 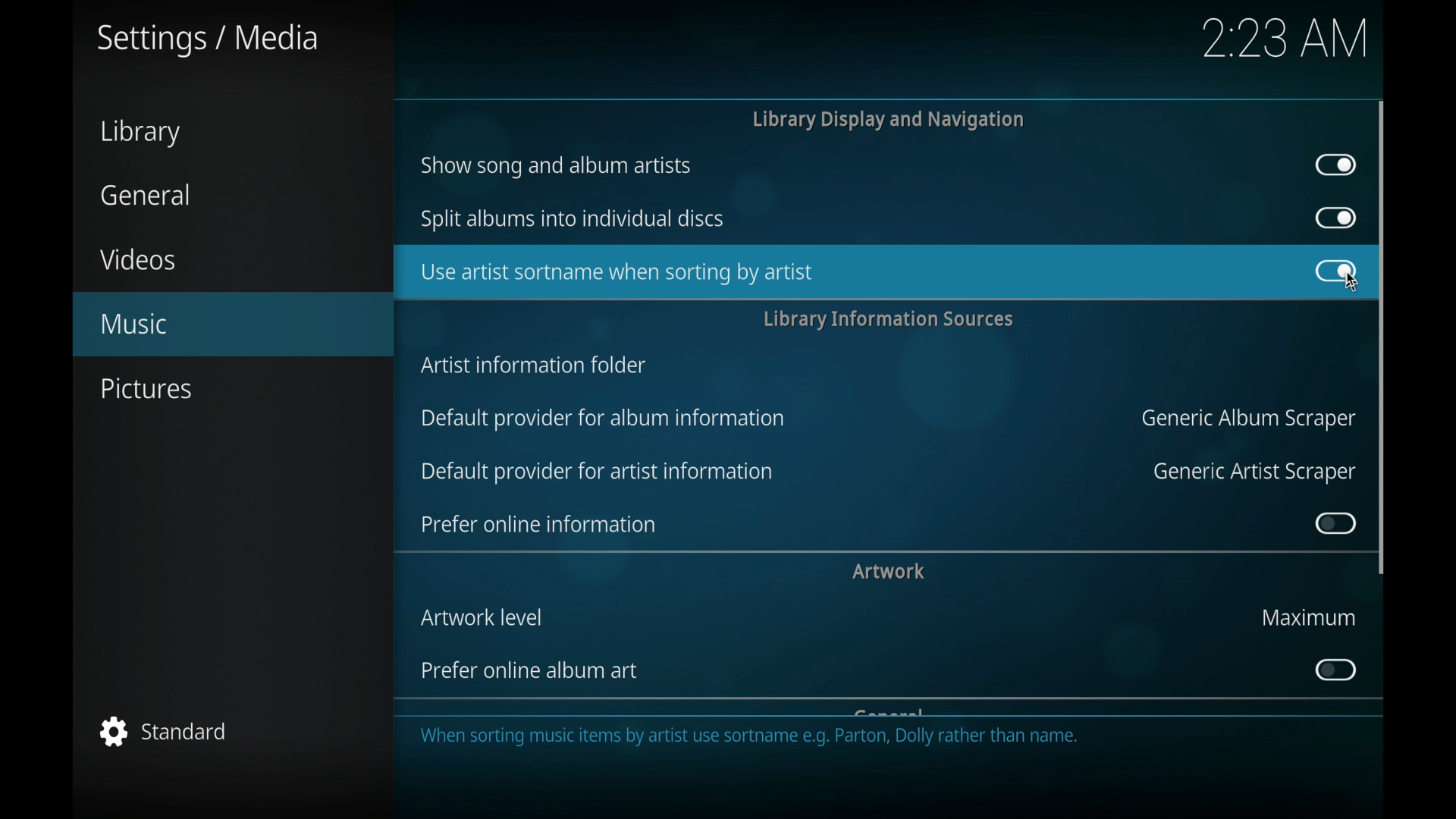 I want to click on toggle button, so click(x=1335, y=218).